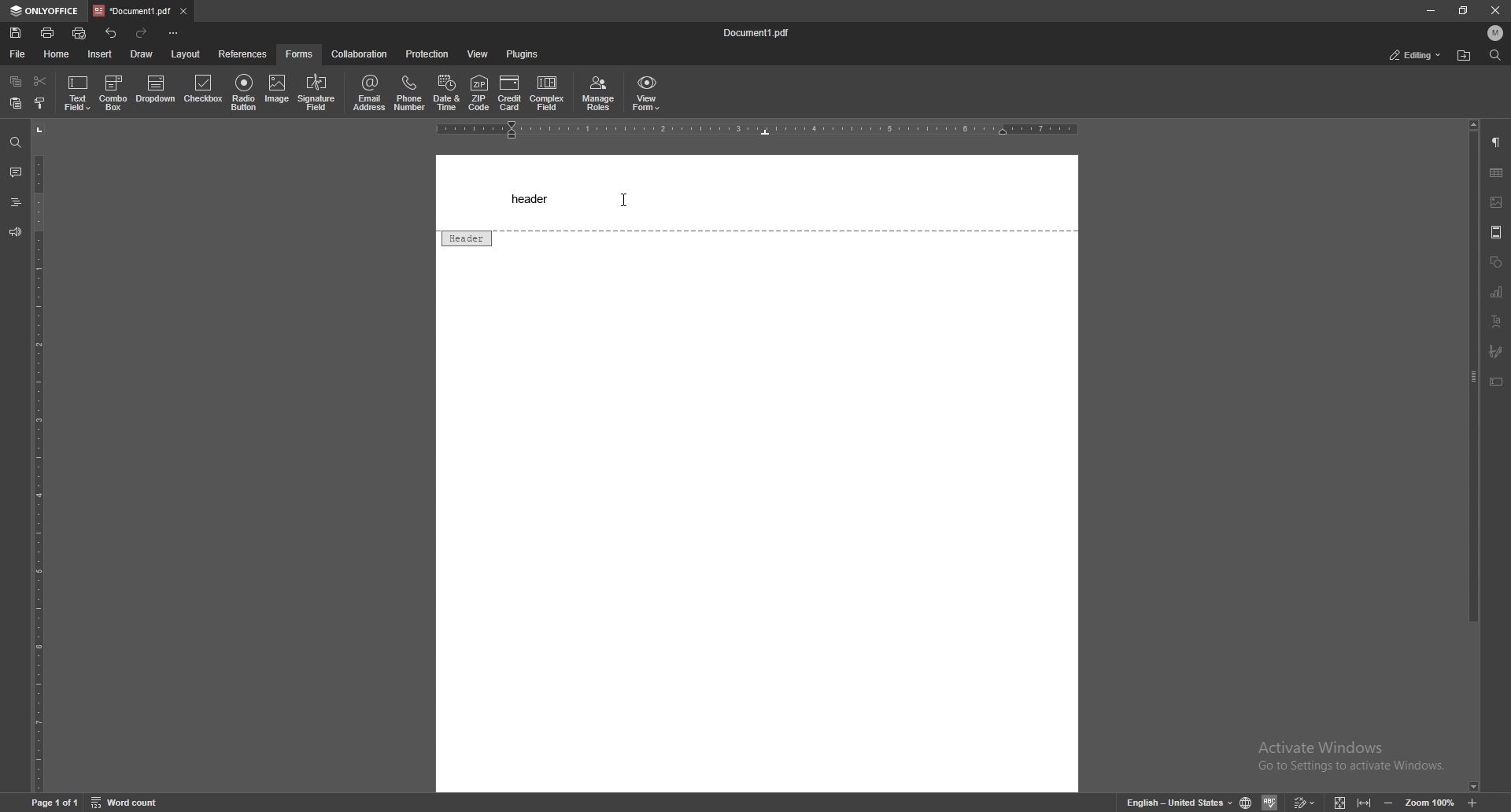  Describe the element at coordinates (46, 9) in the screenshot. I see `only office` at that location.